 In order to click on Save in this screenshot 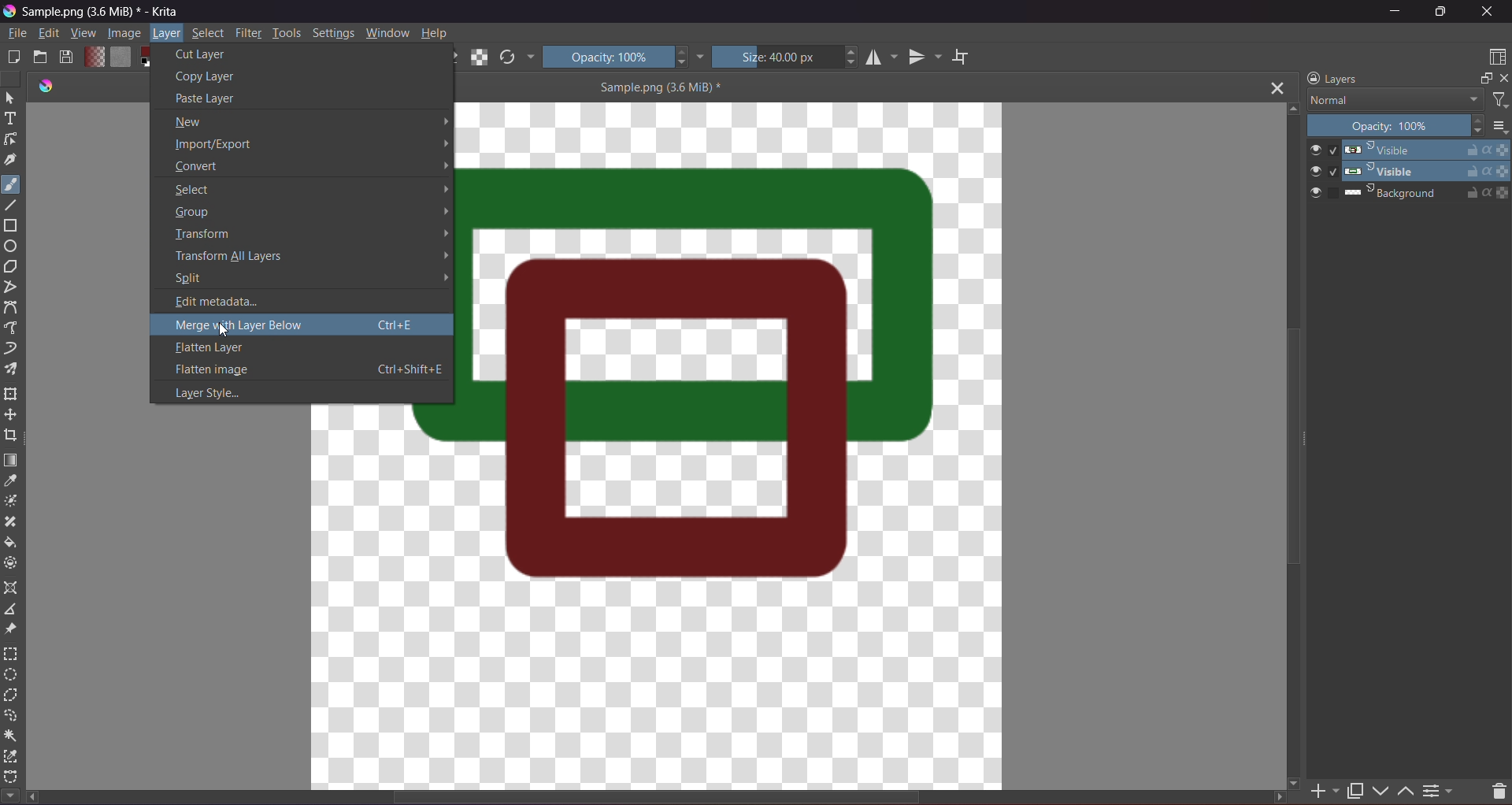, I will do `click(66, 57)`.